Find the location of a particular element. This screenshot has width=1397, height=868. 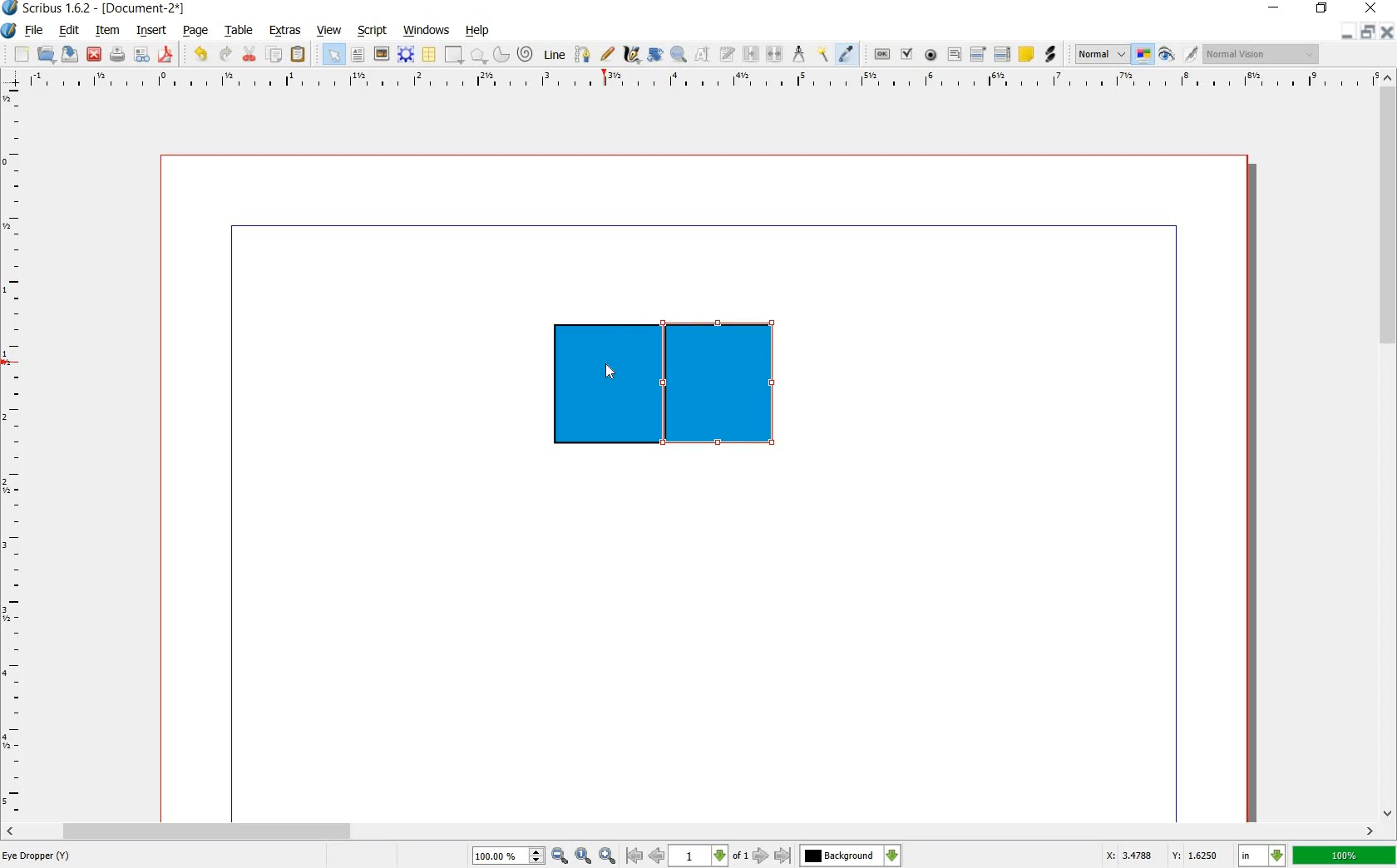

pdf push button is located at coordinates (881, 54).